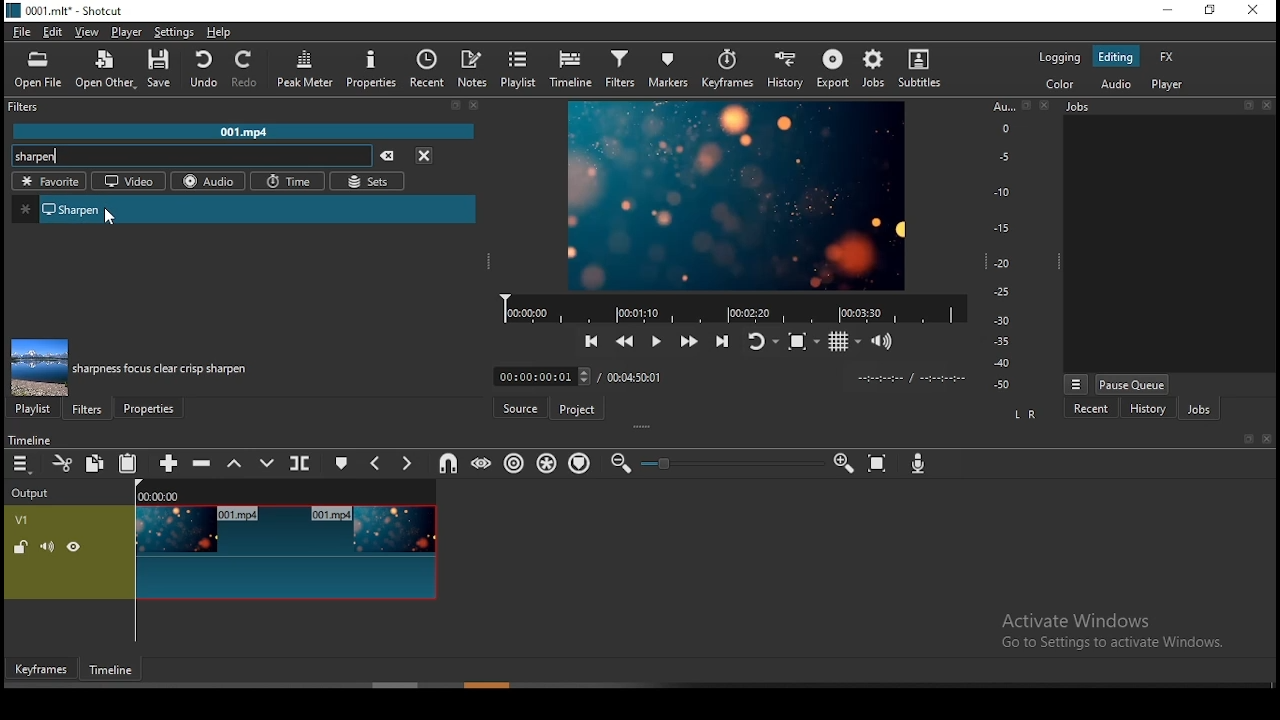 The image size is (1280, 720). I want to click on redo, so click(245, 70).